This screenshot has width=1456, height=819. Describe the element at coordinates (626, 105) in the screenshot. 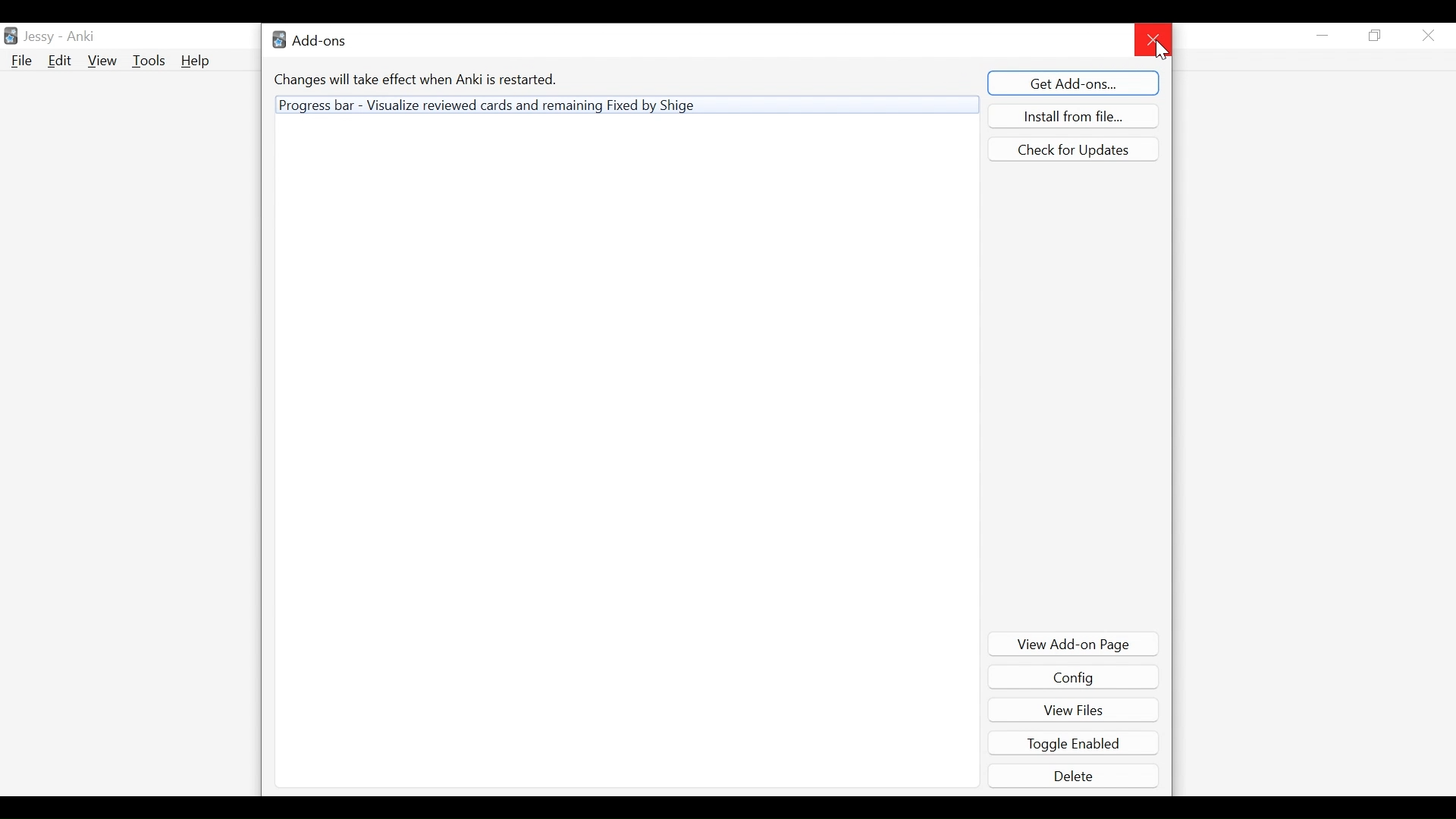

I see `Progress bar - Visualize reviewed cards and remaining Fixed by Shige` at that location.